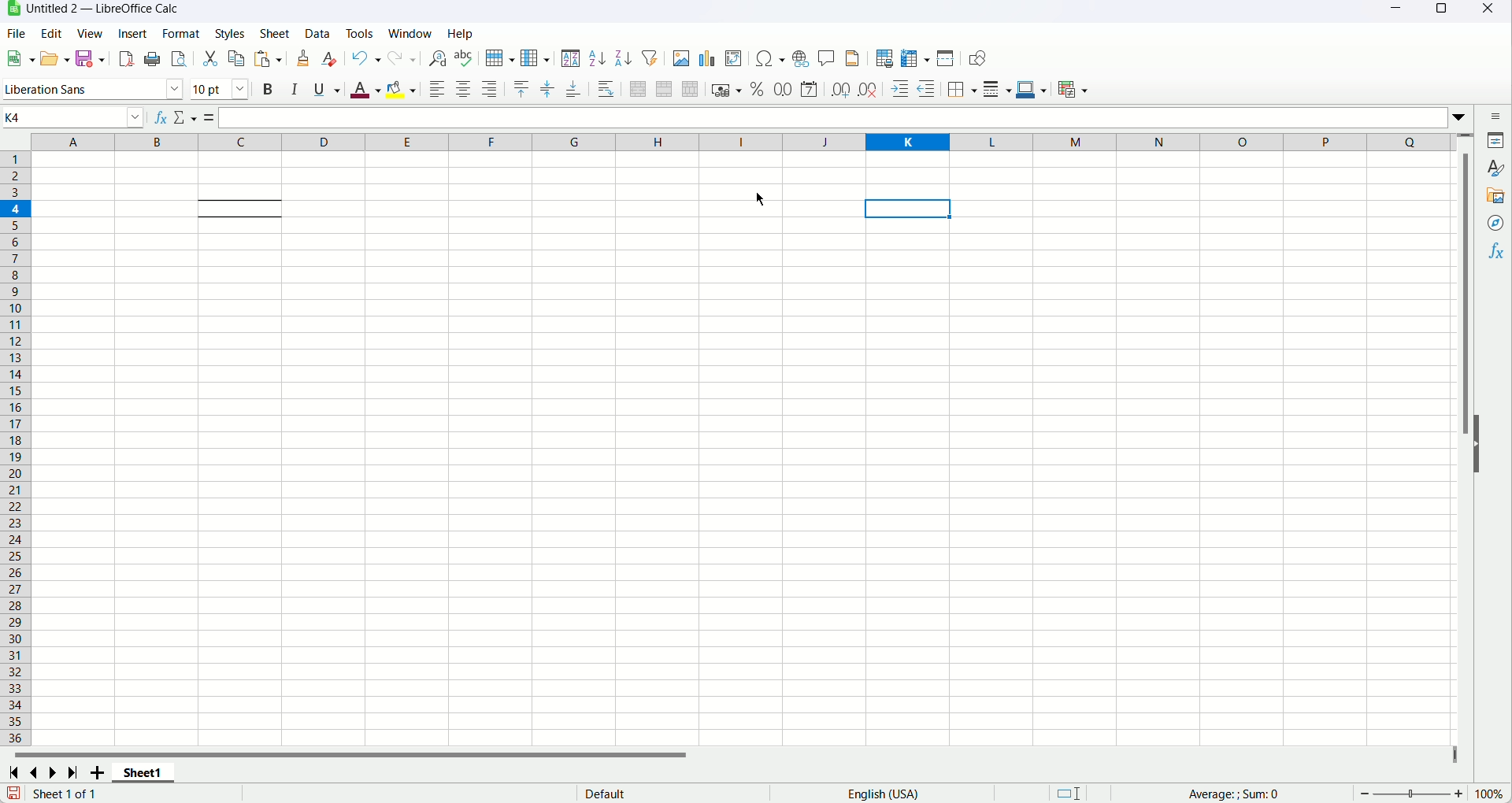 Image resolution: width=1512 pixels, height=803 pixels. Describe the element at coordinates (707, 58) in the screenshot. I see `Insert chart` at that location.